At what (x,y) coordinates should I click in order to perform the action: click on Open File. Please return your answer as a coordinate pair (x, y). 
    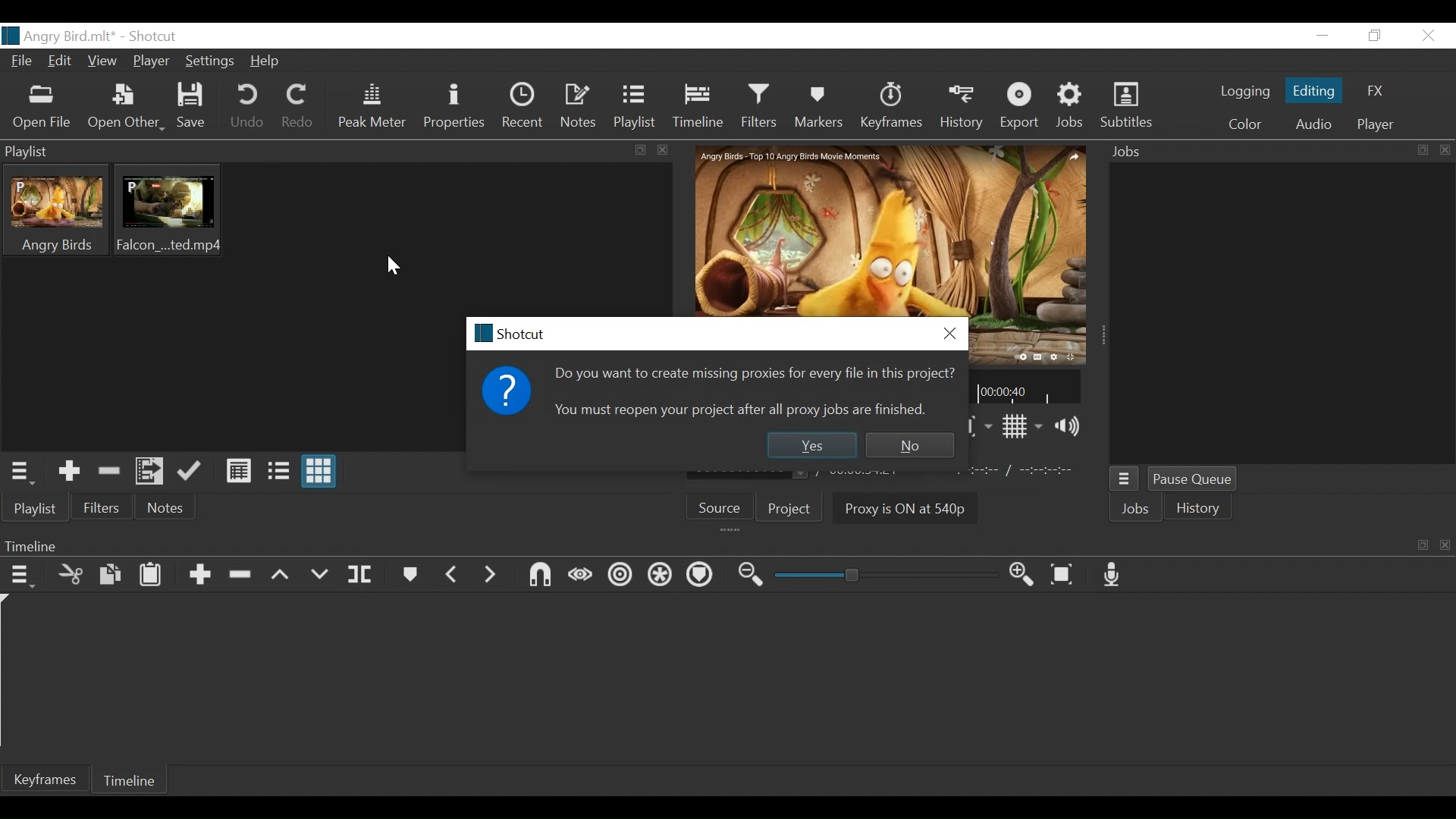
    Looking at the image, I should click on (42, 108).